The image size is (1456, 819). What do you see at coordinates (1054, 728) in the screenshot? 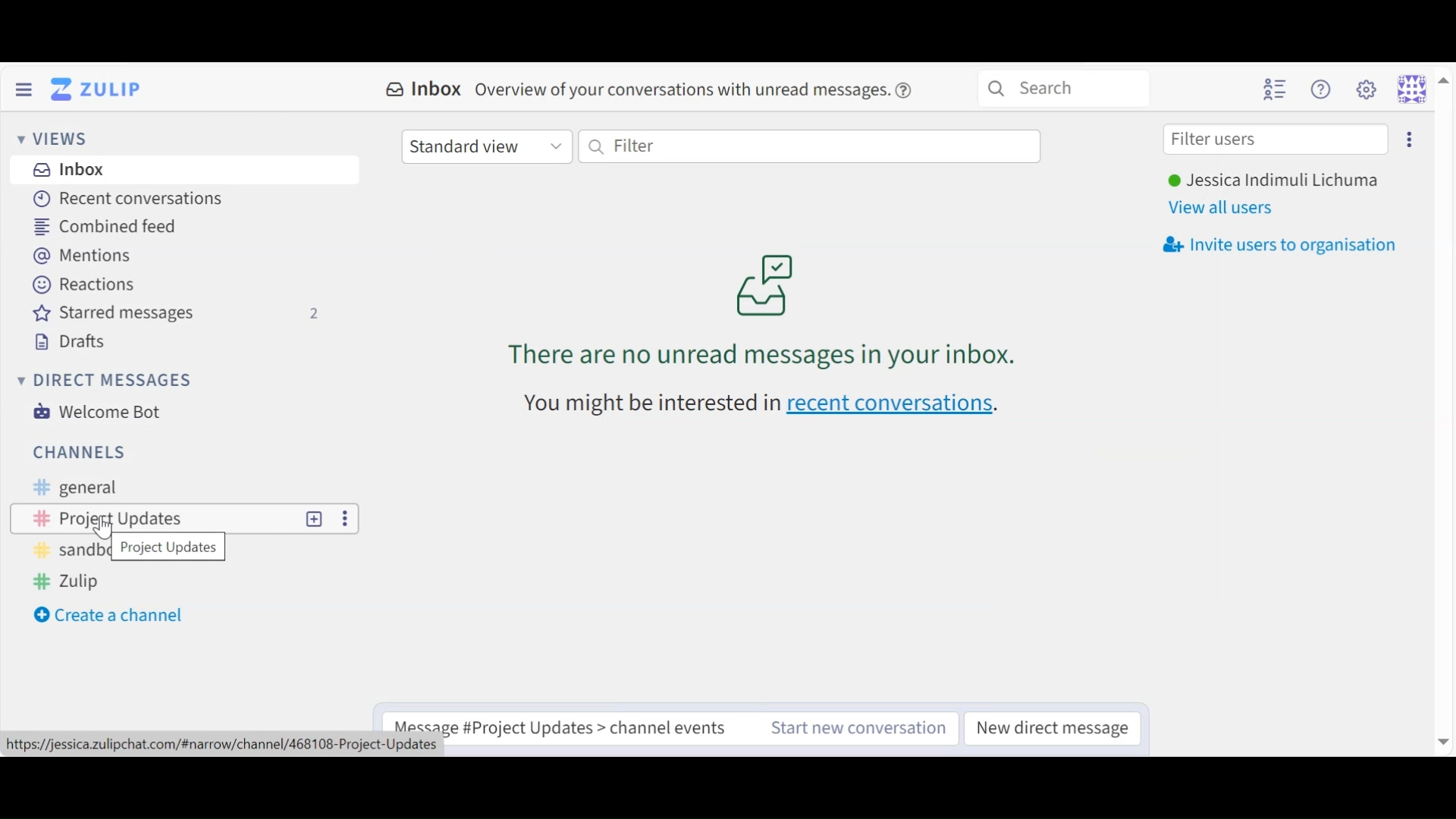
I see `New Direct Message` at bounding box center [1054, 728].